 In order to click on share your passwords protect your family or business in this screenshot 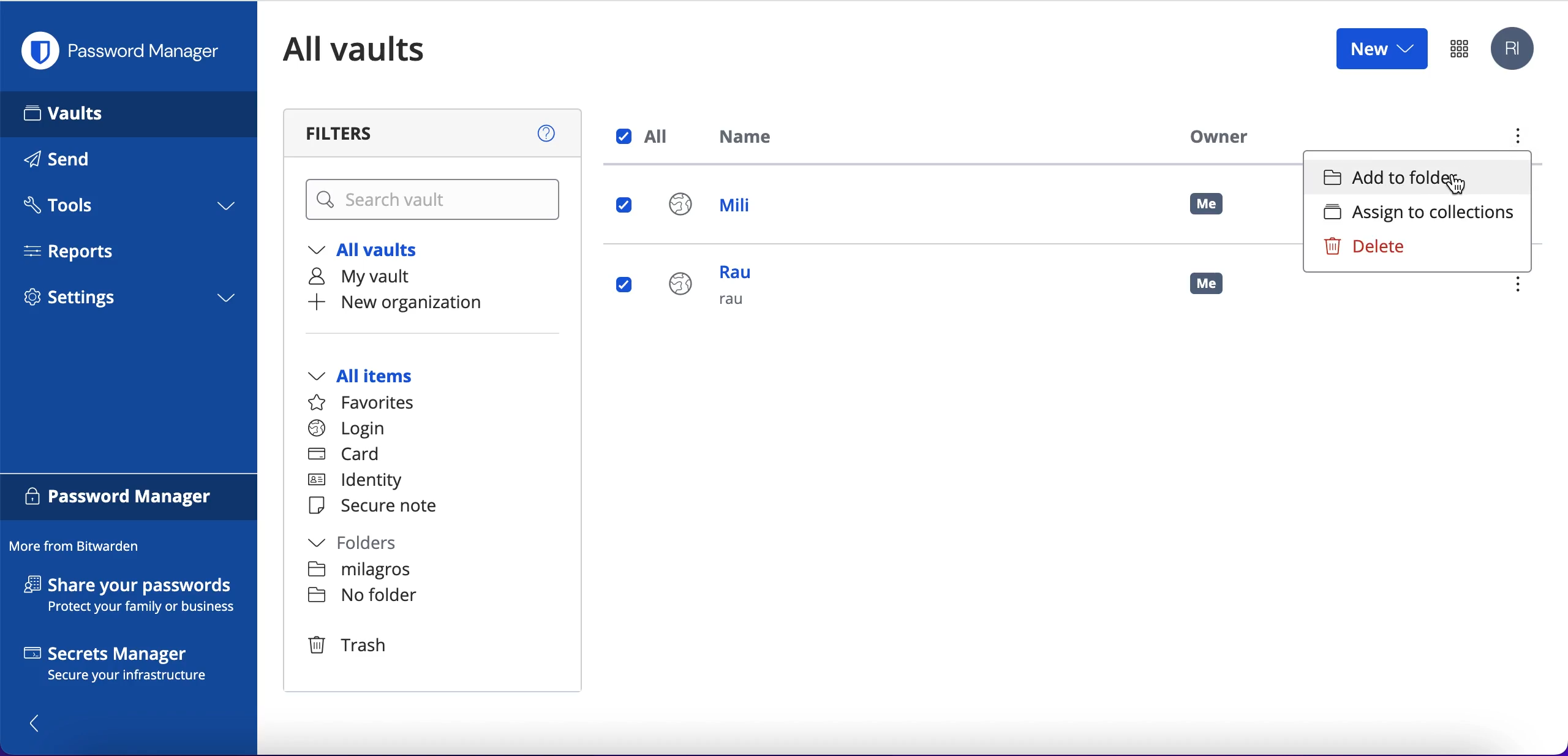, I will do `click(136, 597)`.